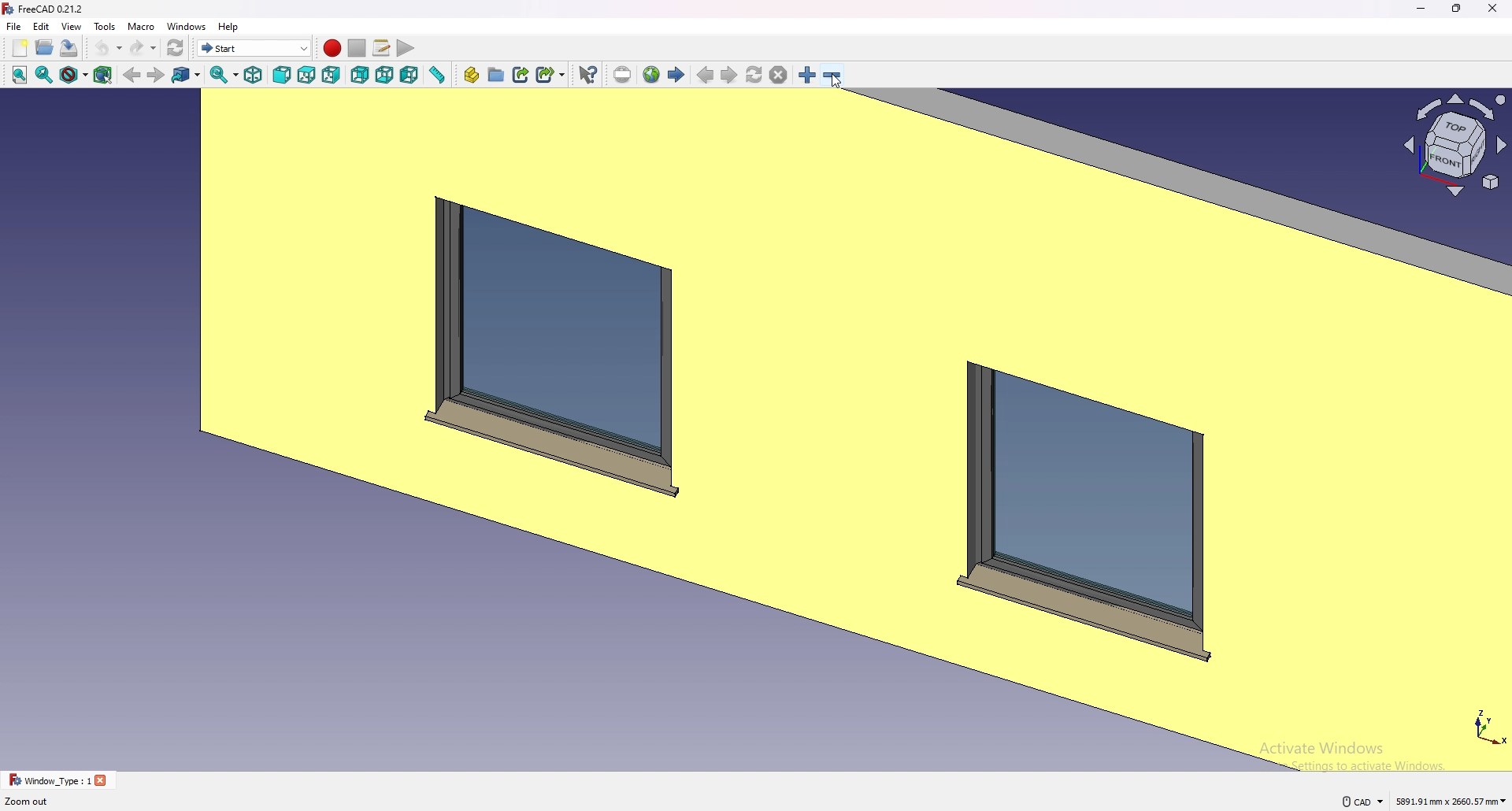 The height and width of the screenshot is (811, 1512). What do you see at coordinates (409, 75) in the screenshot?
I see `left` at bounding box center [409, 75].